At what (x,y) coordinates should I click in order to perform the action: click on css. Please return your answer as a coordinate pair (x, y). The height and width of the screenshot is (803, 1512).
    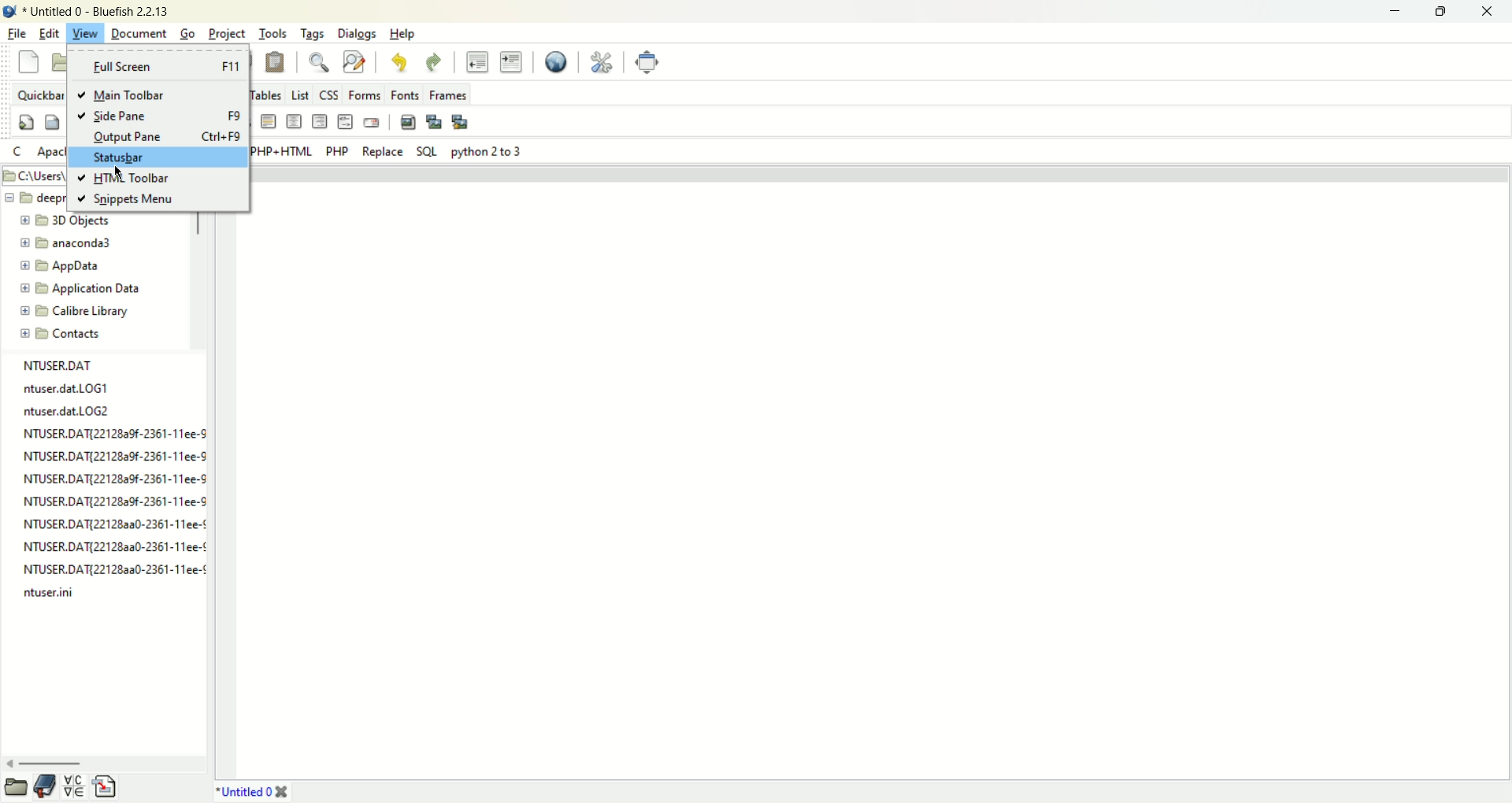
    Looking at the image, I should click on (327, 94).